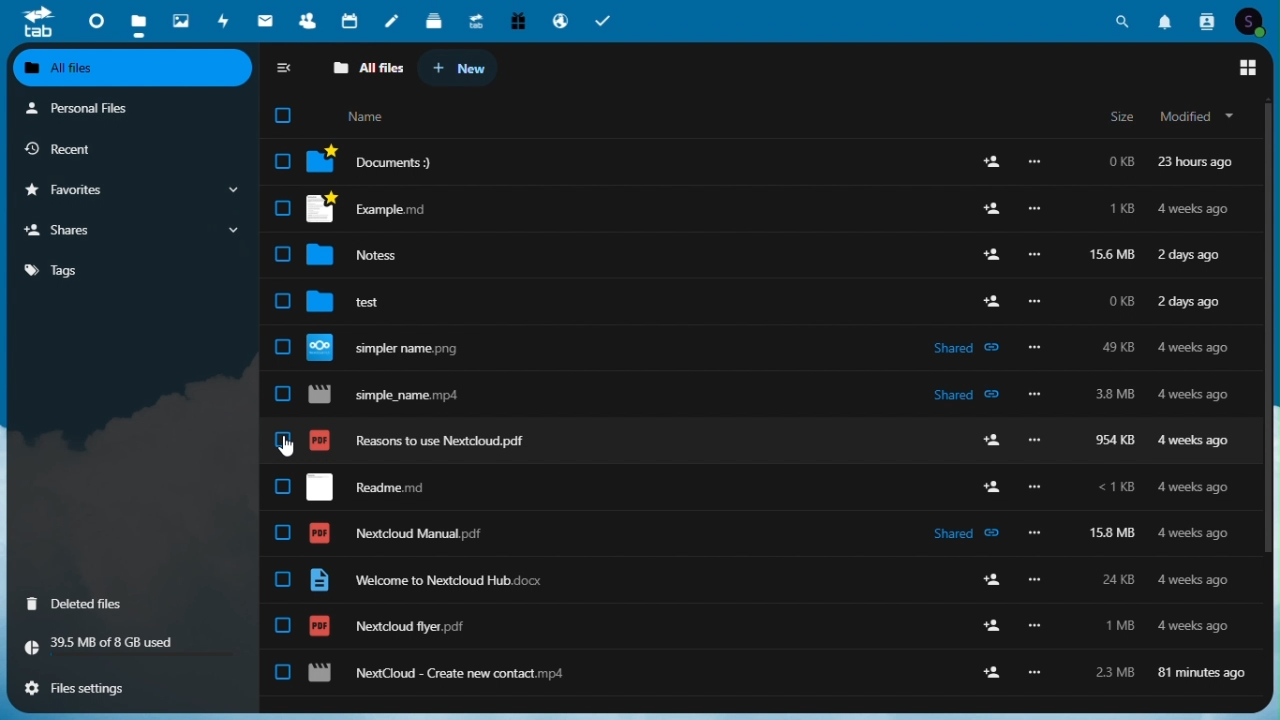  What do you see at coordinates (434, 22) in the screenshot?
I see `deck` at bounding box center [434, 22].